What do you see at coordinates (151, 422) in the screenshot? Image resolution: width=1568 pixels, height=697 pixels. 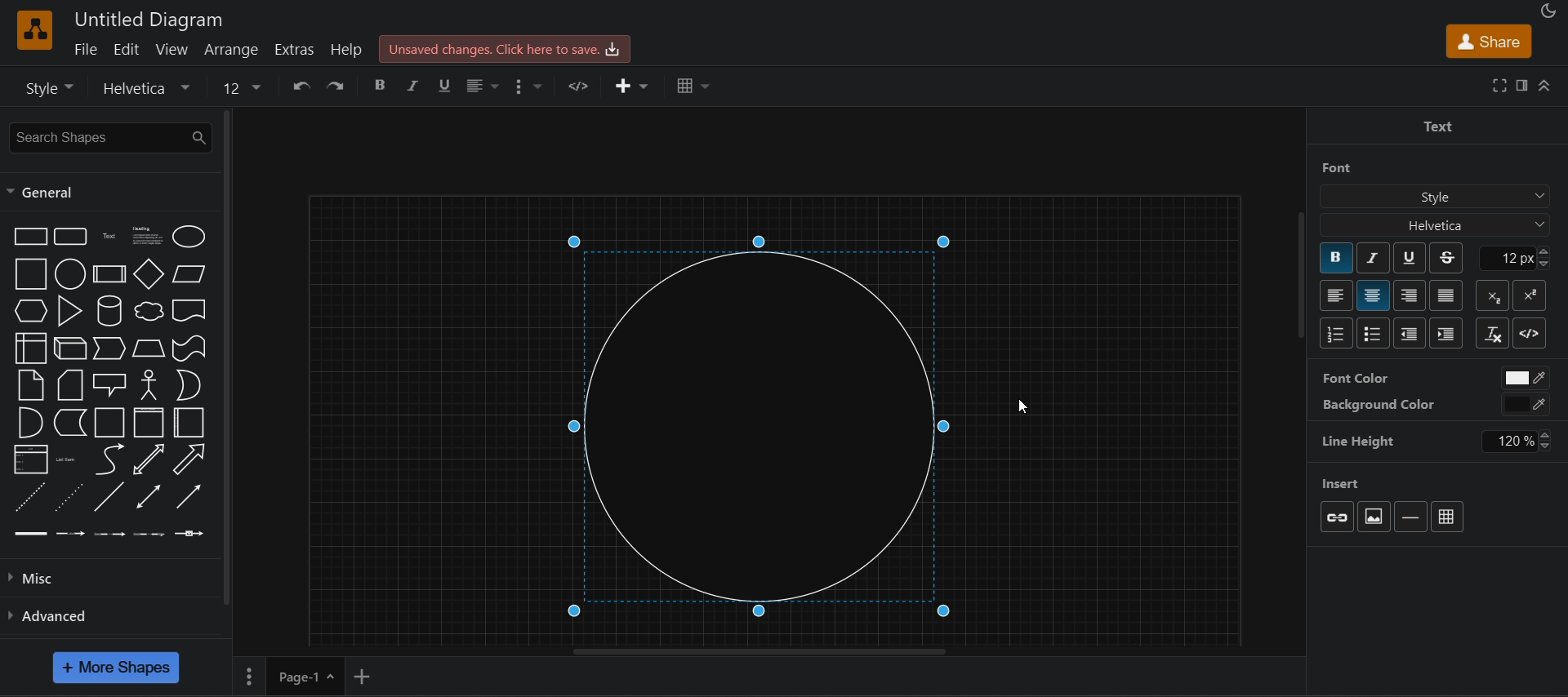 I see `vertical container` at bounding box center [151, 422].